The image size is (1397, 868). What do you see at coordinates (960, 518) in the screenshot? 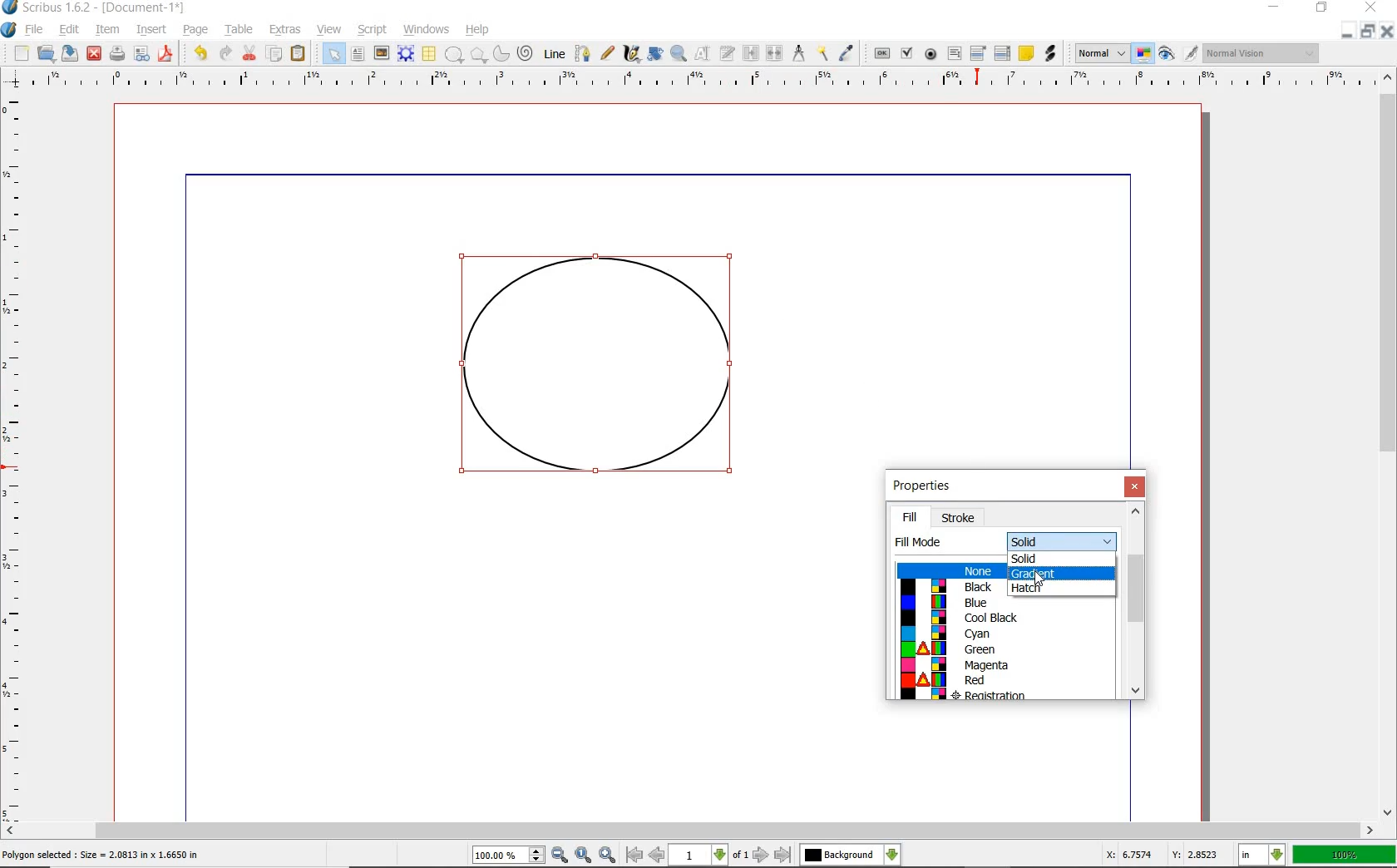
I see `stroke` at bounding box center [960, 518].